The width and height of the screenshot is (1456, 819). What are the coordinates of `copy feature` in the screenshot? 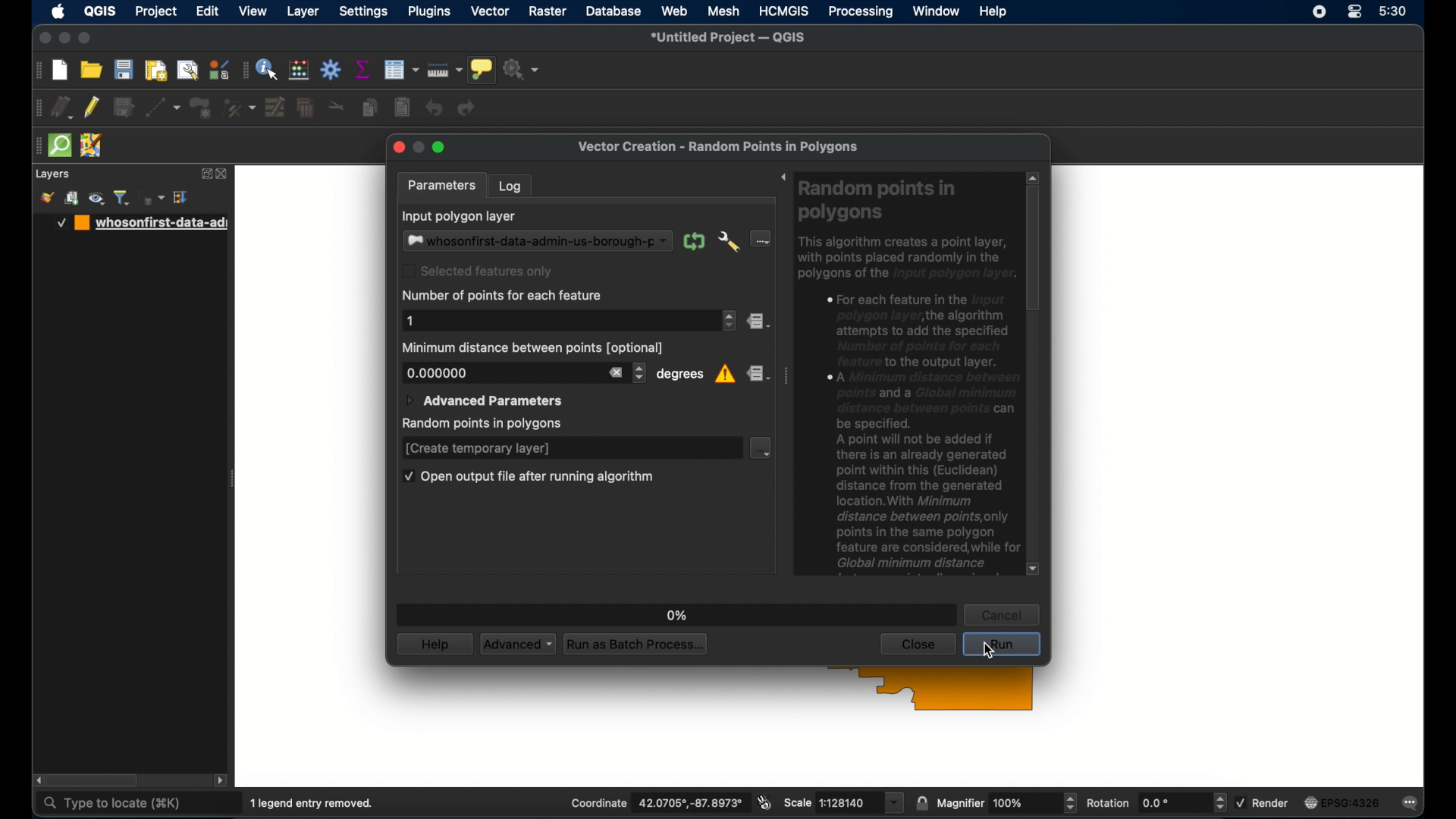 It's located at (370, 108).